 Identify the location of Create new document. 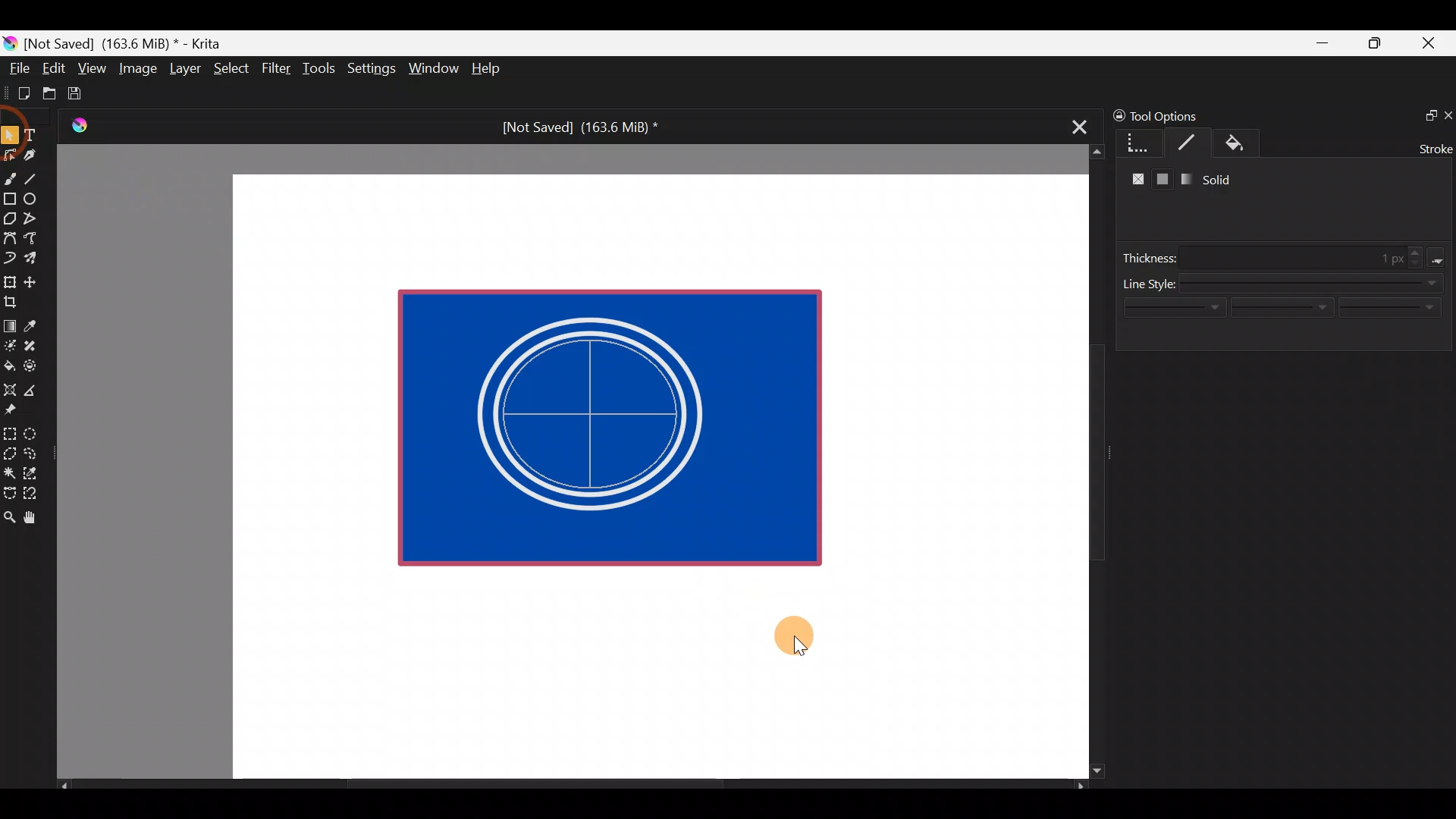
(19, 93).